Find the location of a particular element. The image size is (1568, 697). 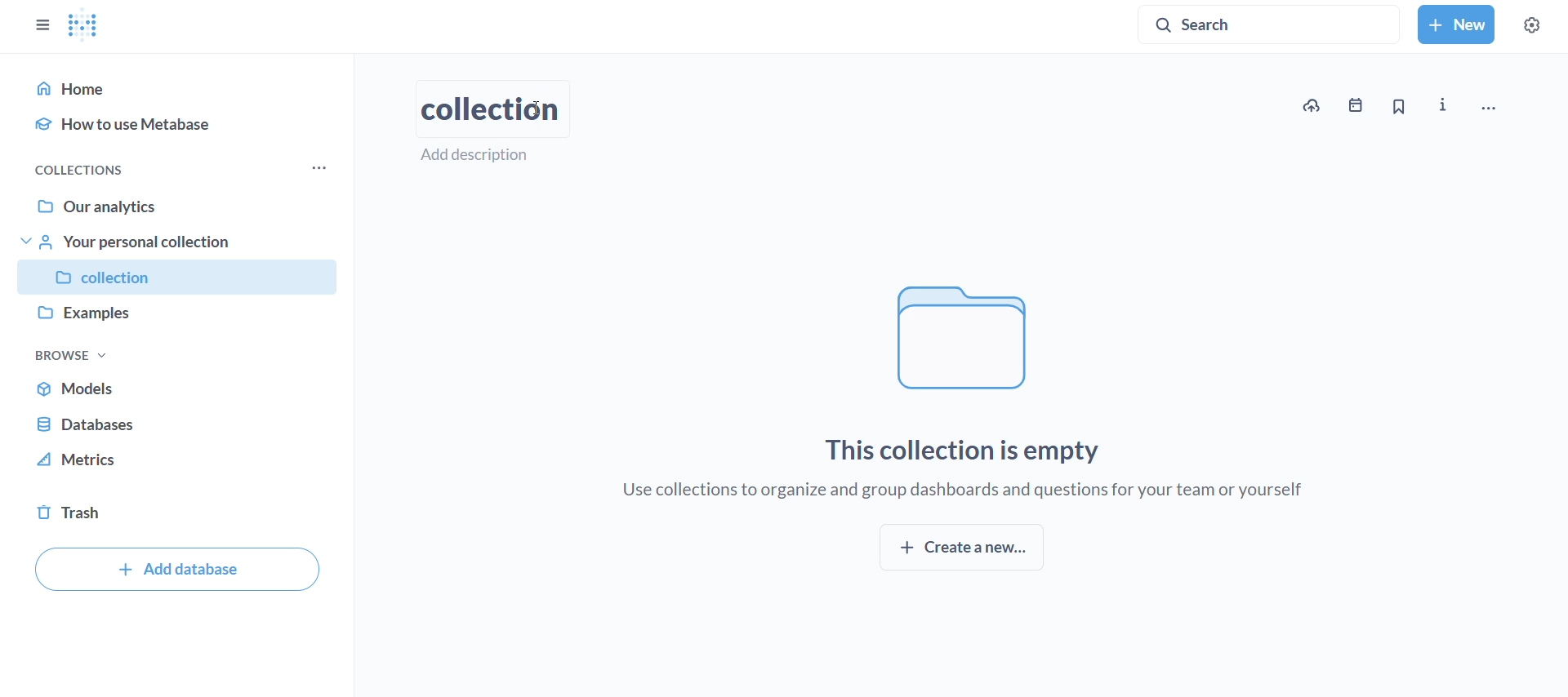

upload data to new collection  is located at coordinates (1311, 106).